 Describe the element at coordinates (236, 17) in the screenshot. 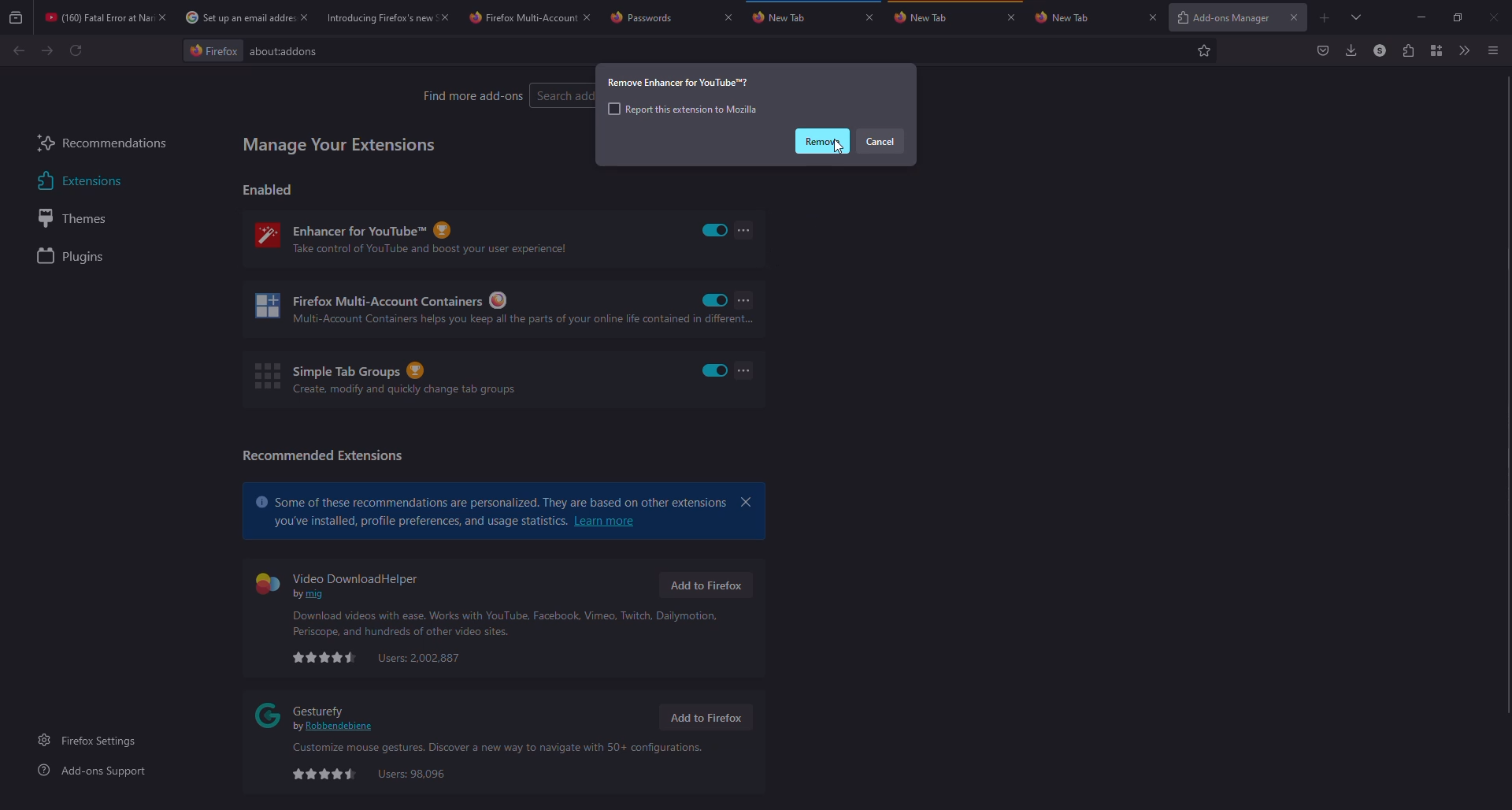

I see `tab` at that location.